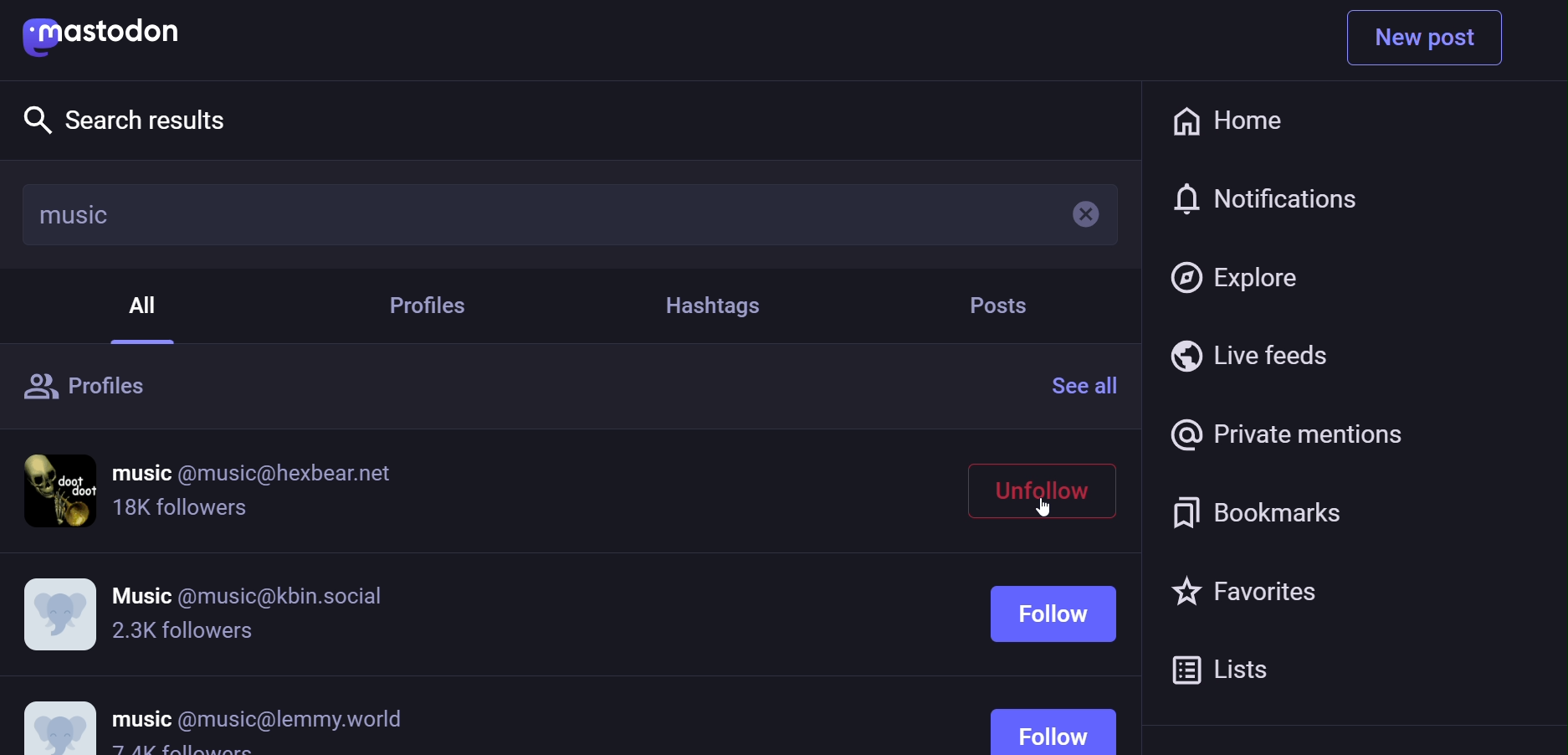 The width and height of the screenshot is (1568, 755). I want to click on notification, so click(1266, 201).